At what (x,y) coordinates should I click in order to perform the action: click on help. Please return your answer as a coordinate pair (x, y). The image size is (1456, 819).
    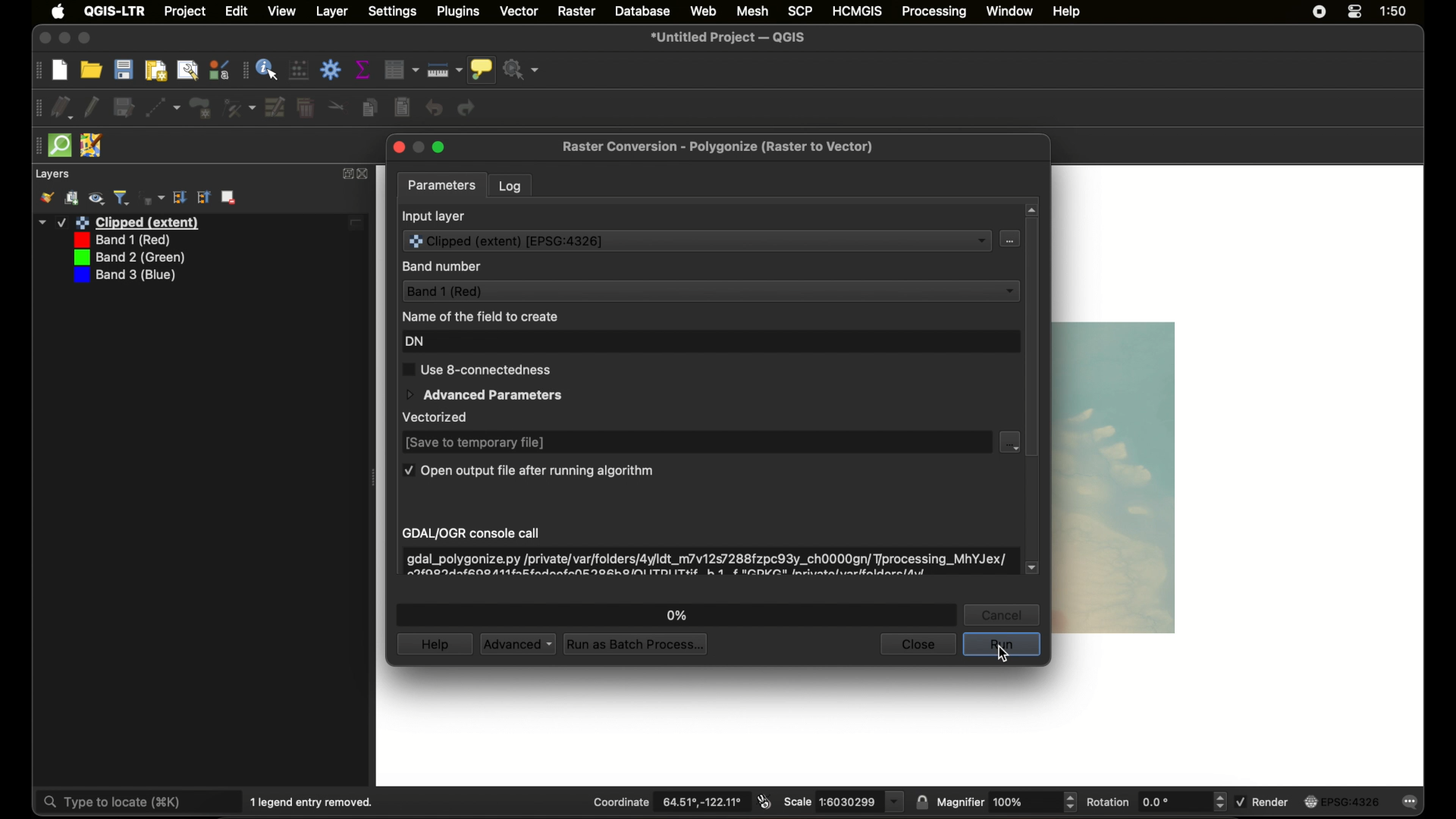
    Looking at the image, I should click on (1066, 12).